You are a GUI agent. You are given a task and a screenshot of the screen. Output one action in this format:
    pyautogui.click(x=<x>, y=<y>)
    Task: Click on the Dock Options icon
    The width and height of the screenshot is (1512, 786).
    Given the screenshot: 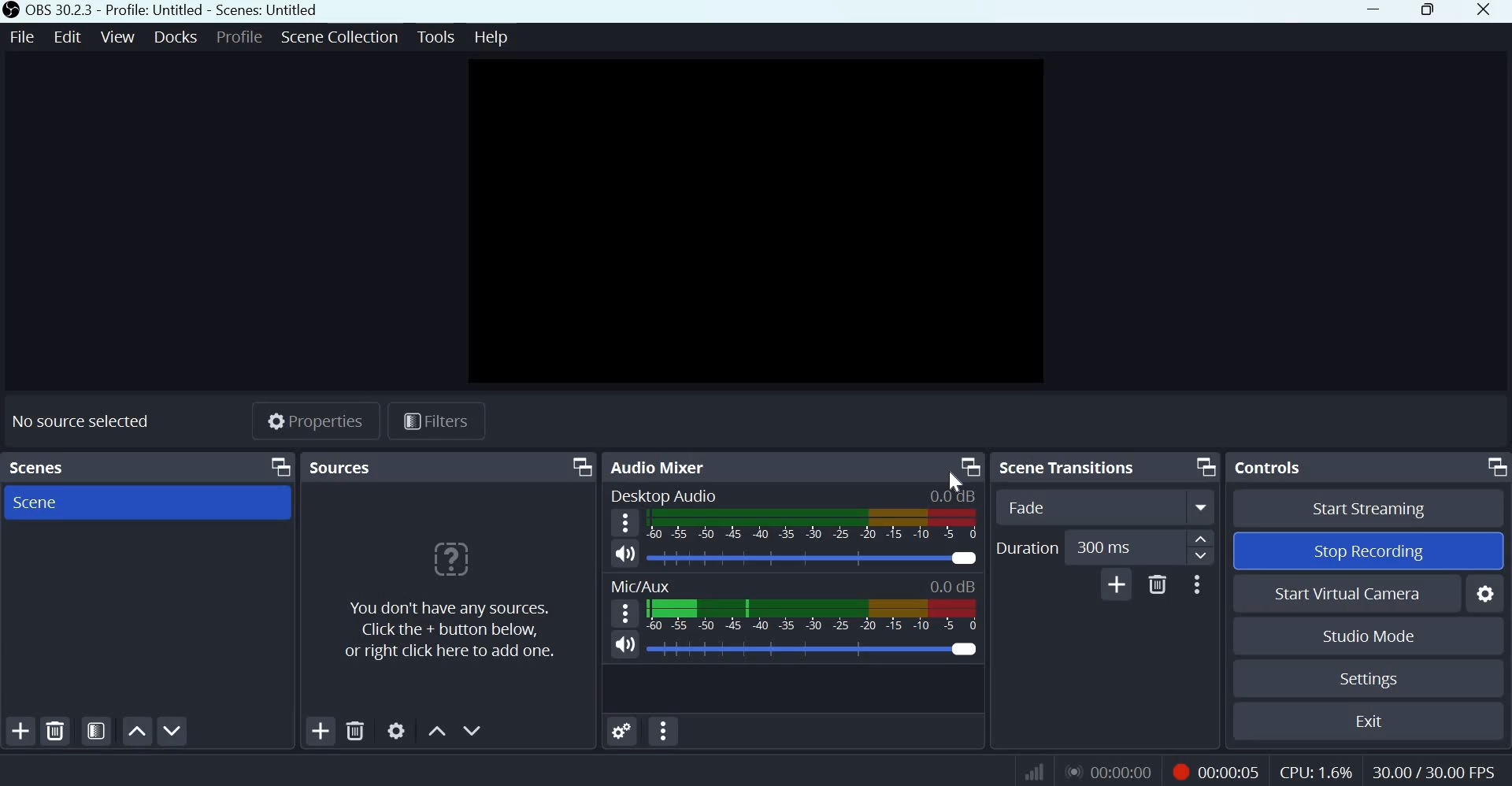 What is the action you would take?
    pyautogui.click(x=971, y=467)
    